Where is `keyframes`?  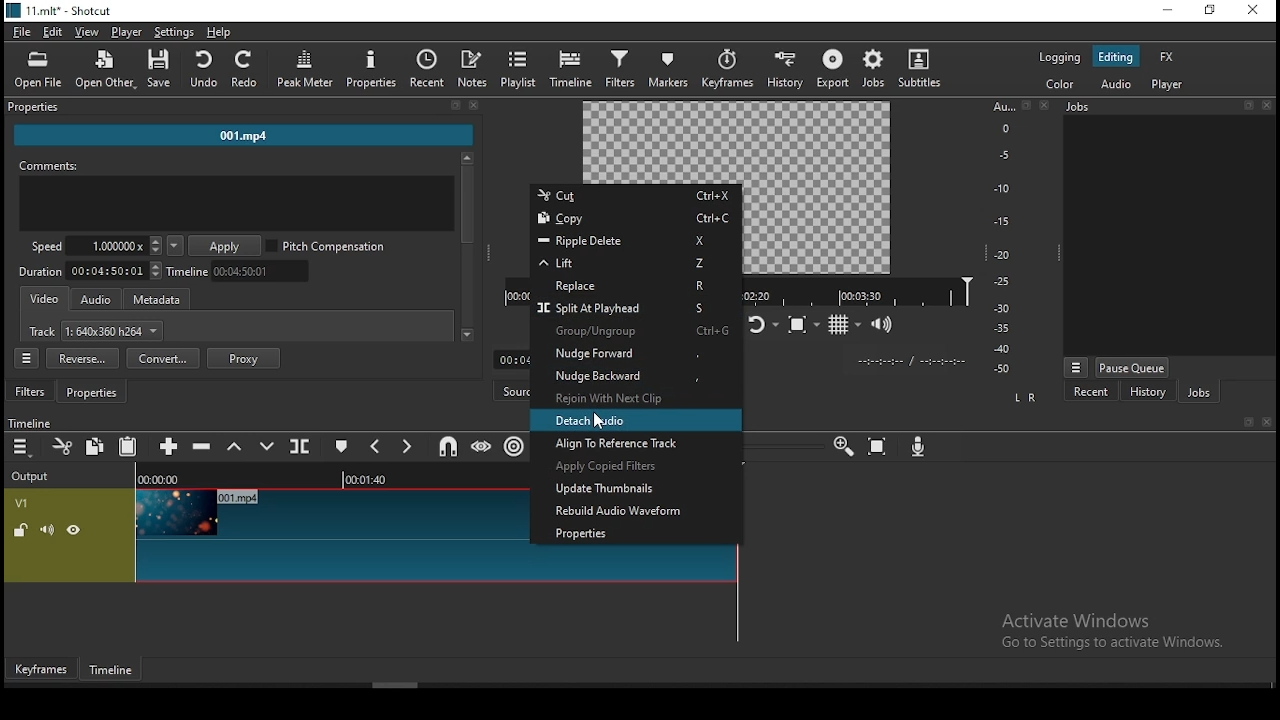
keyframes is located at coordinates (727, 66).